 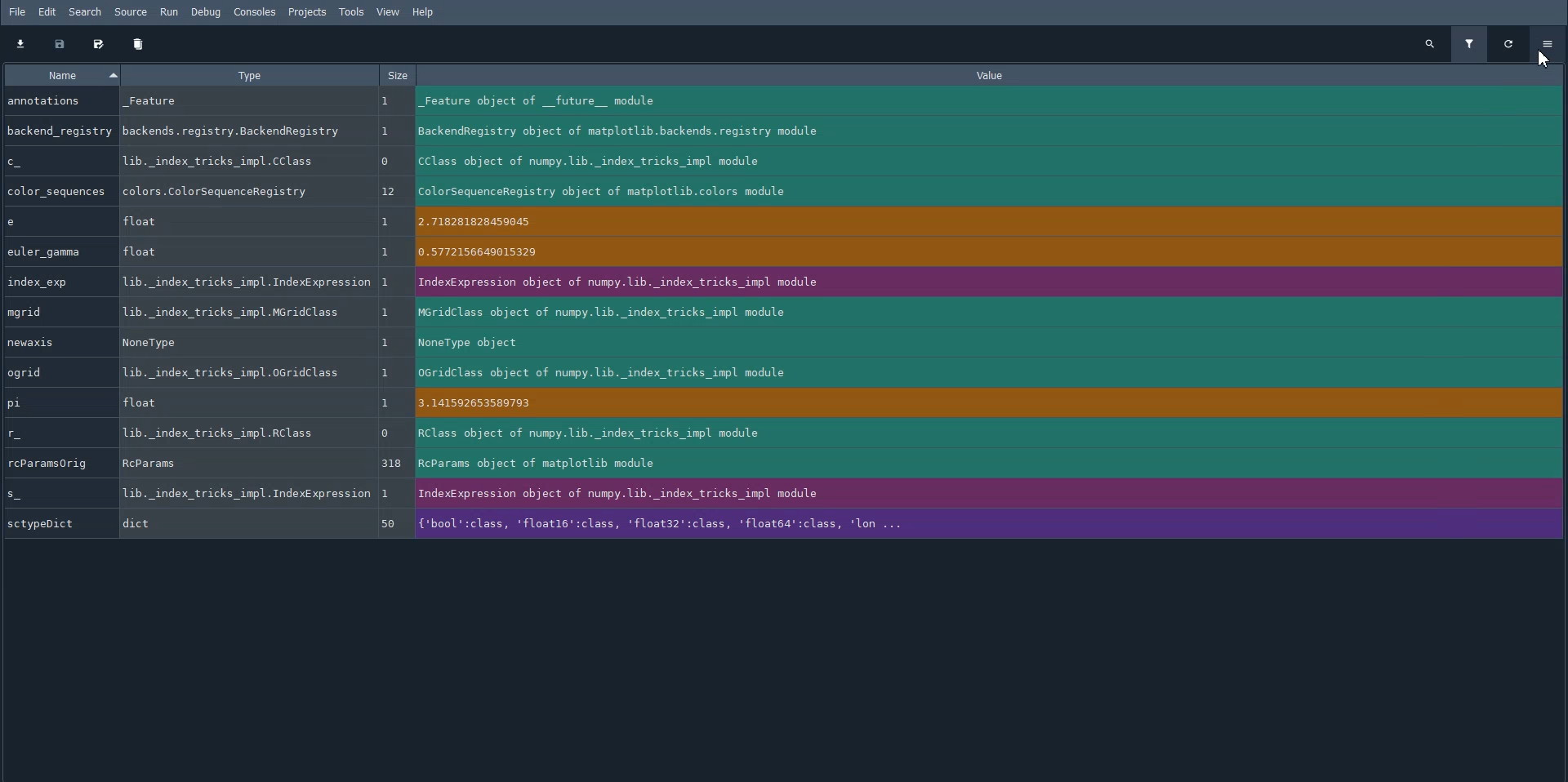 I want to click on sctypeDict, so click(x=54, y=524).